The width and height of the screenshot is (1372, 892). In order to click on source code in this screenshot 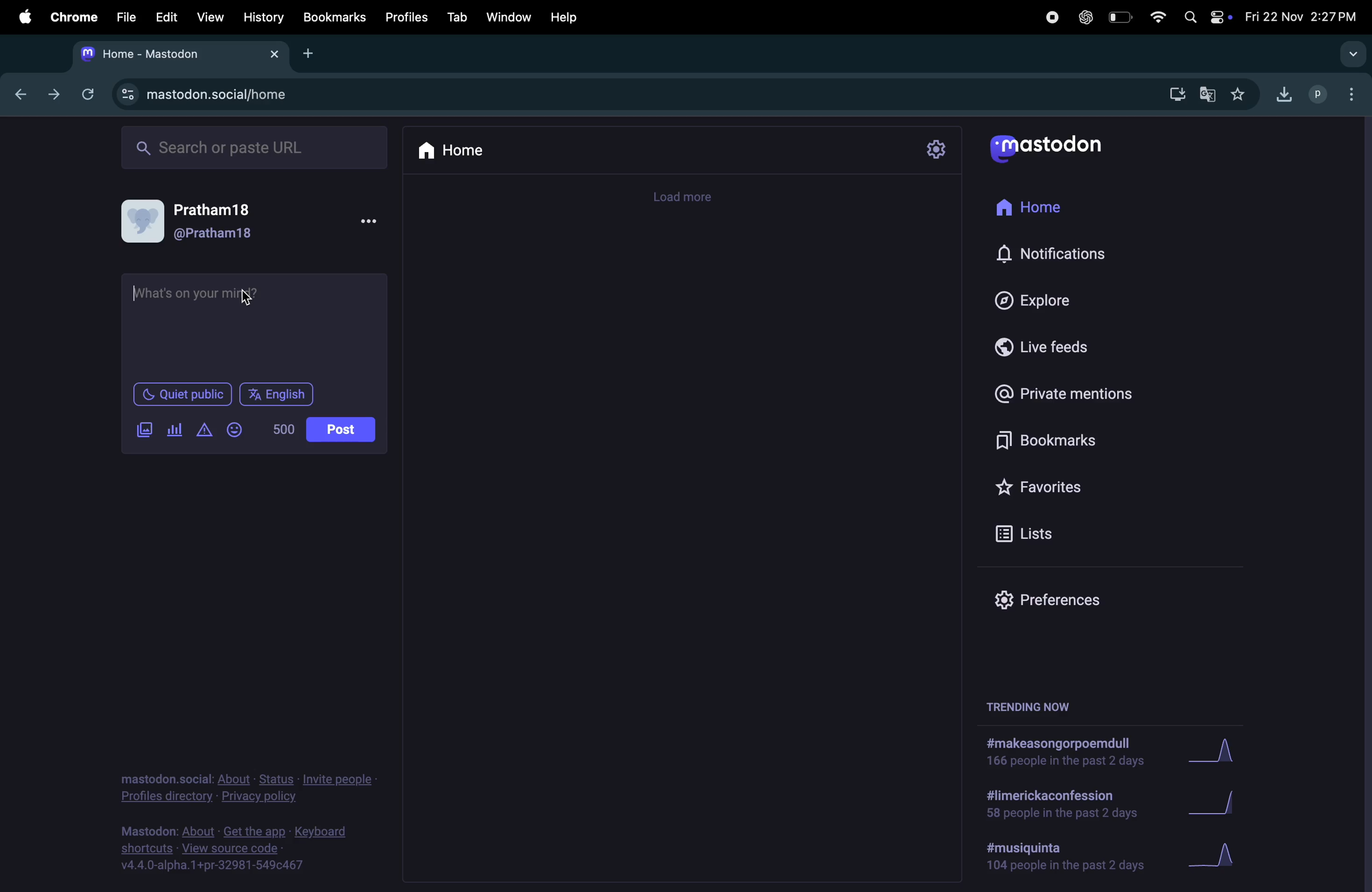, I will do `click(233, 850)`.